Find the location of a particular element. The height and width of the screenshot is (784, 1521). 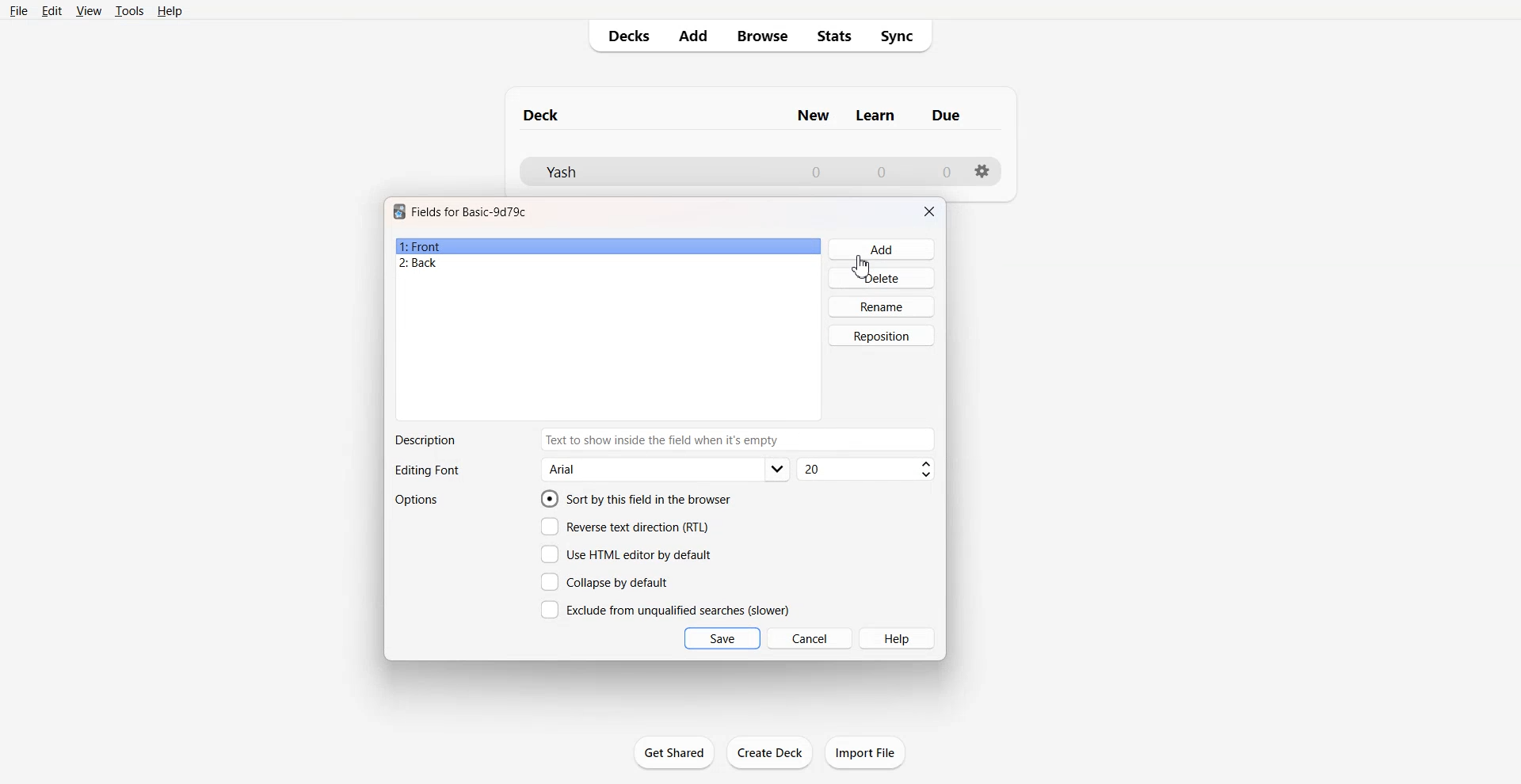

Exclude from unqualified searches (slower) is located at coordinates (665, 609).